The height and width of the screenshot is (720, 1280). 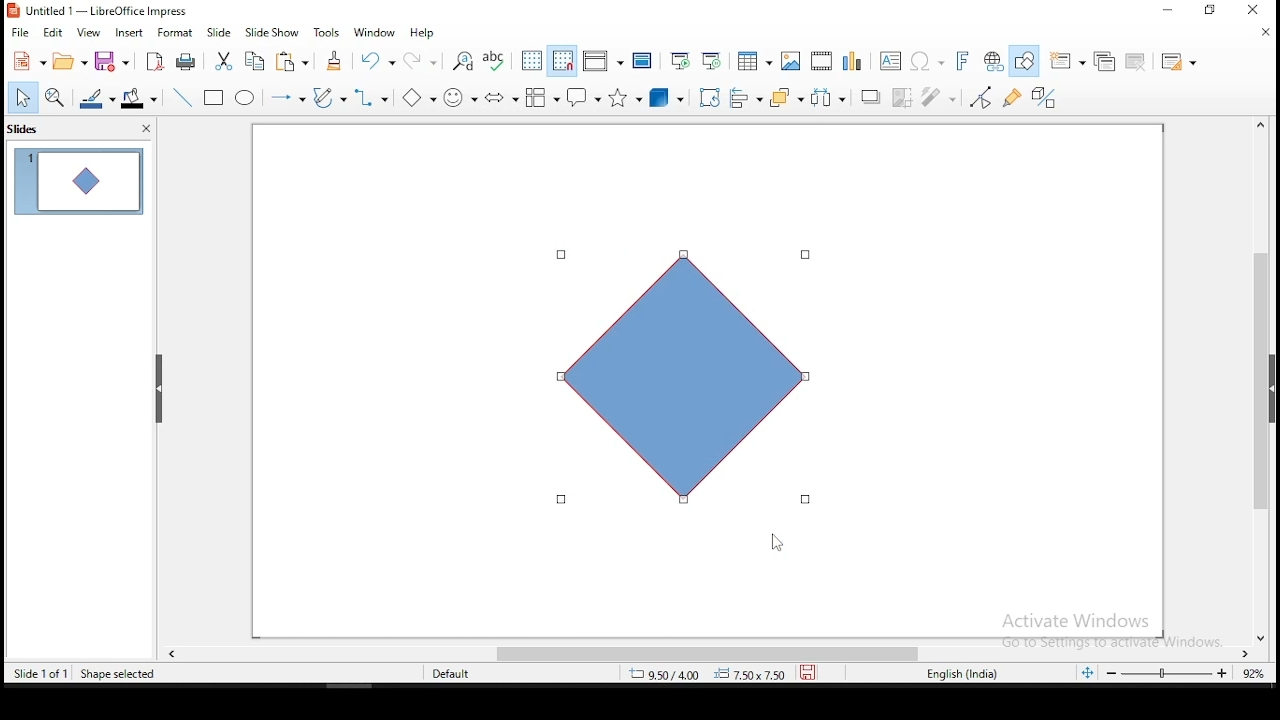 I want to click on fit slide to current window, so click(x=1087, y=671).